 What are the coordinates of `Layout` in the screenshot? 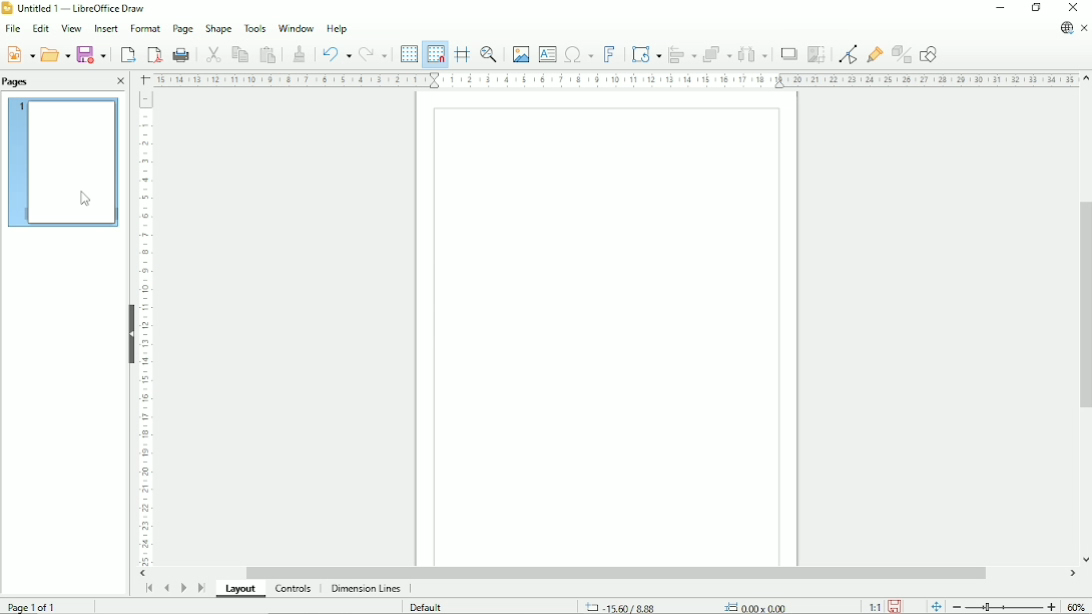 It's located at (243, 590).